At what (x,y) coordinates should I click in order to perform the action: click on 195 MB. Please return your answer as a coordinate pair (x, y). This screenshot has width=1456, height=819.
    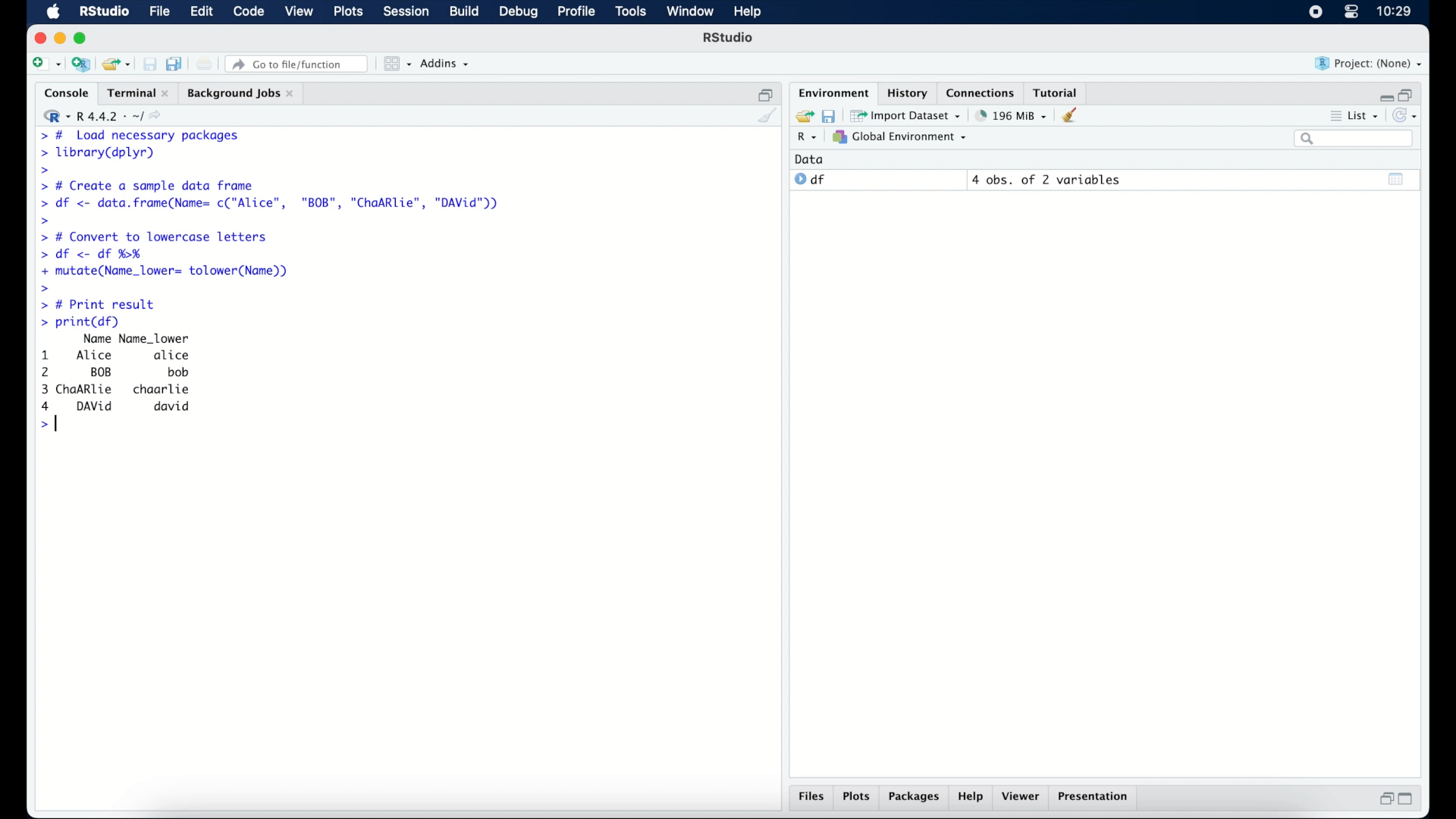
    Looking at the image, I should click on (1010, 115).